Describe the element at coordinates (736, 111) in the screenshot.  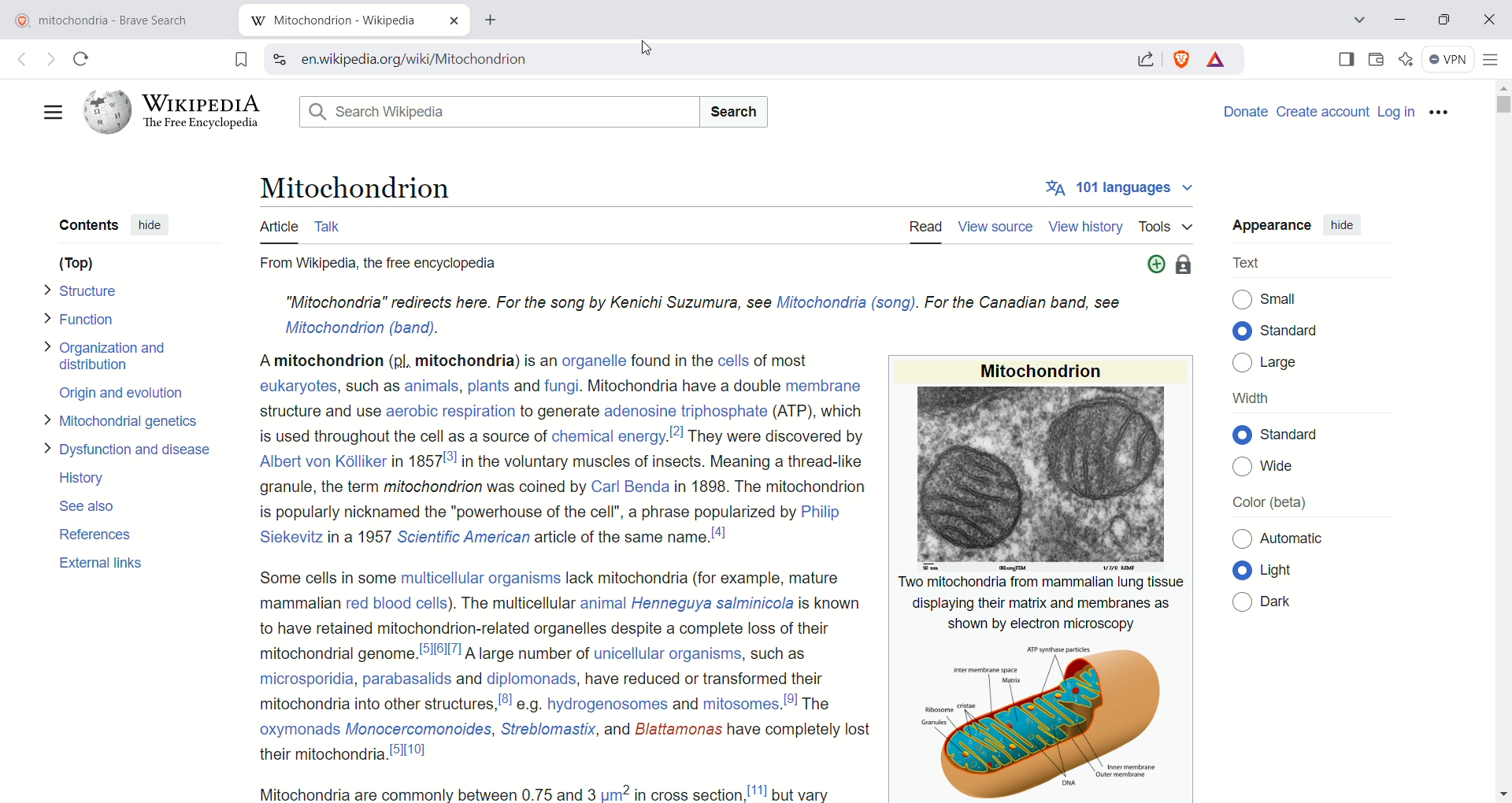
I see `Search ` at that location.